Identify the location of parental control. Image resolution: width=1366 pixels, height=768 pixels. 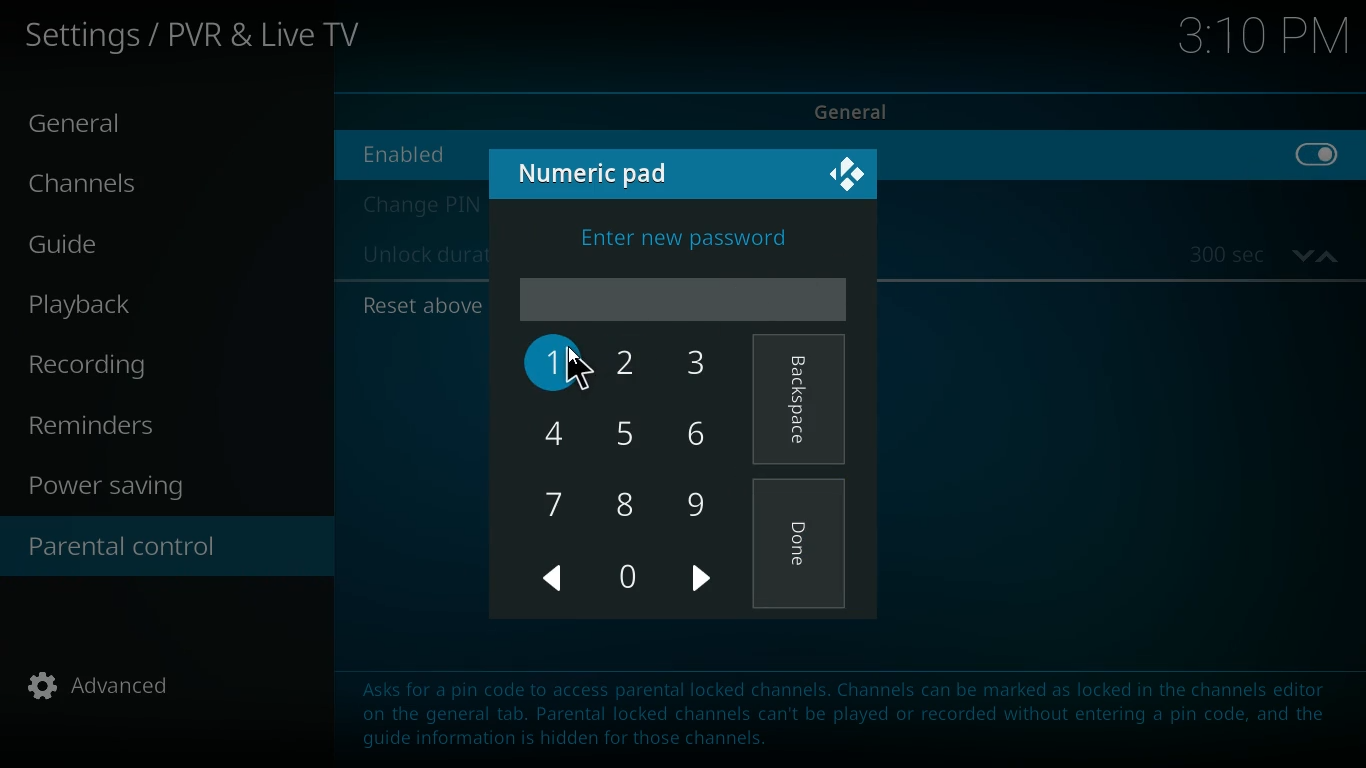
(167, 549).